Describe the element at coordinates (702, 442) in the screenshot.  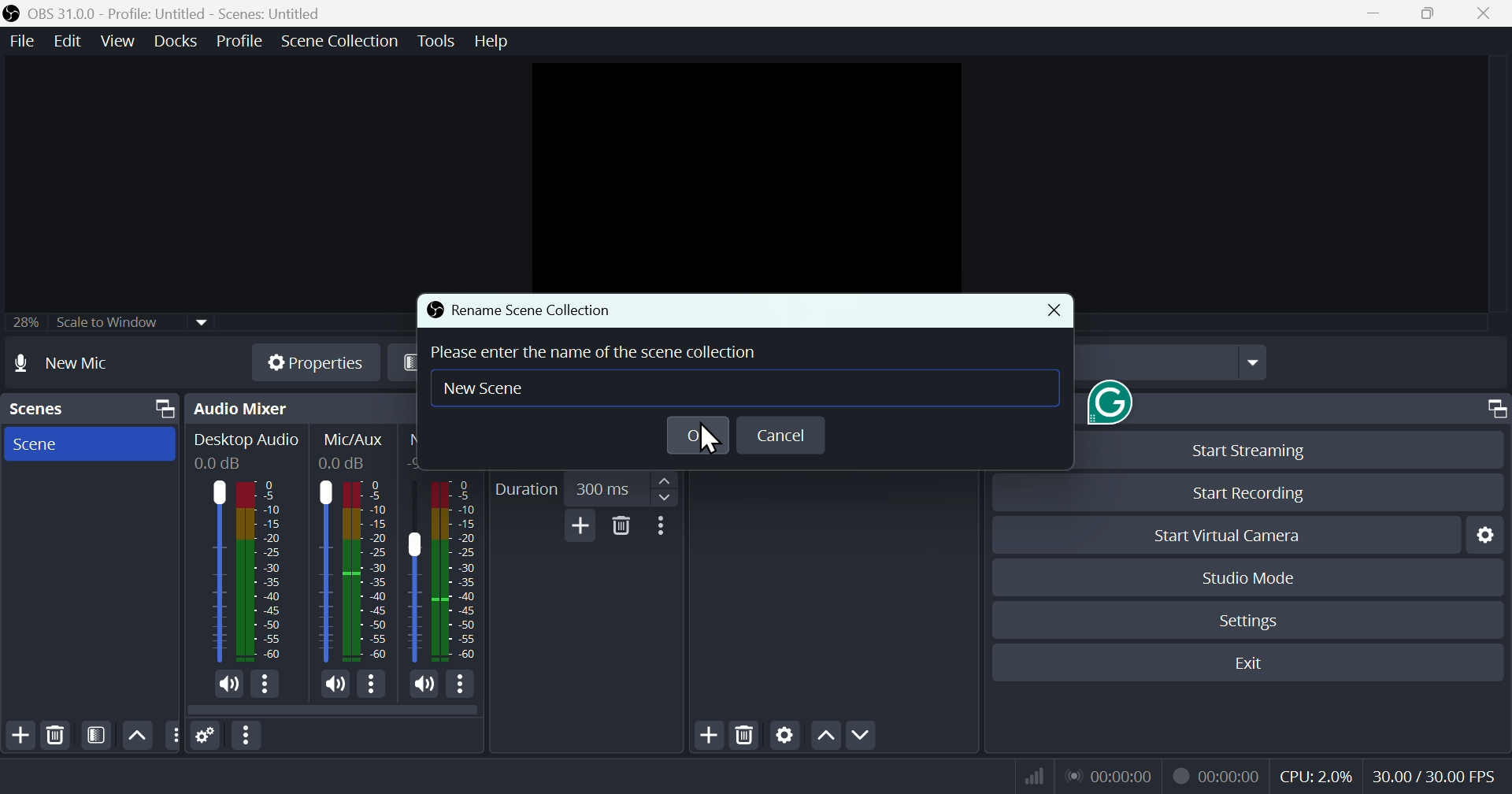
I see `cursor` at that location.